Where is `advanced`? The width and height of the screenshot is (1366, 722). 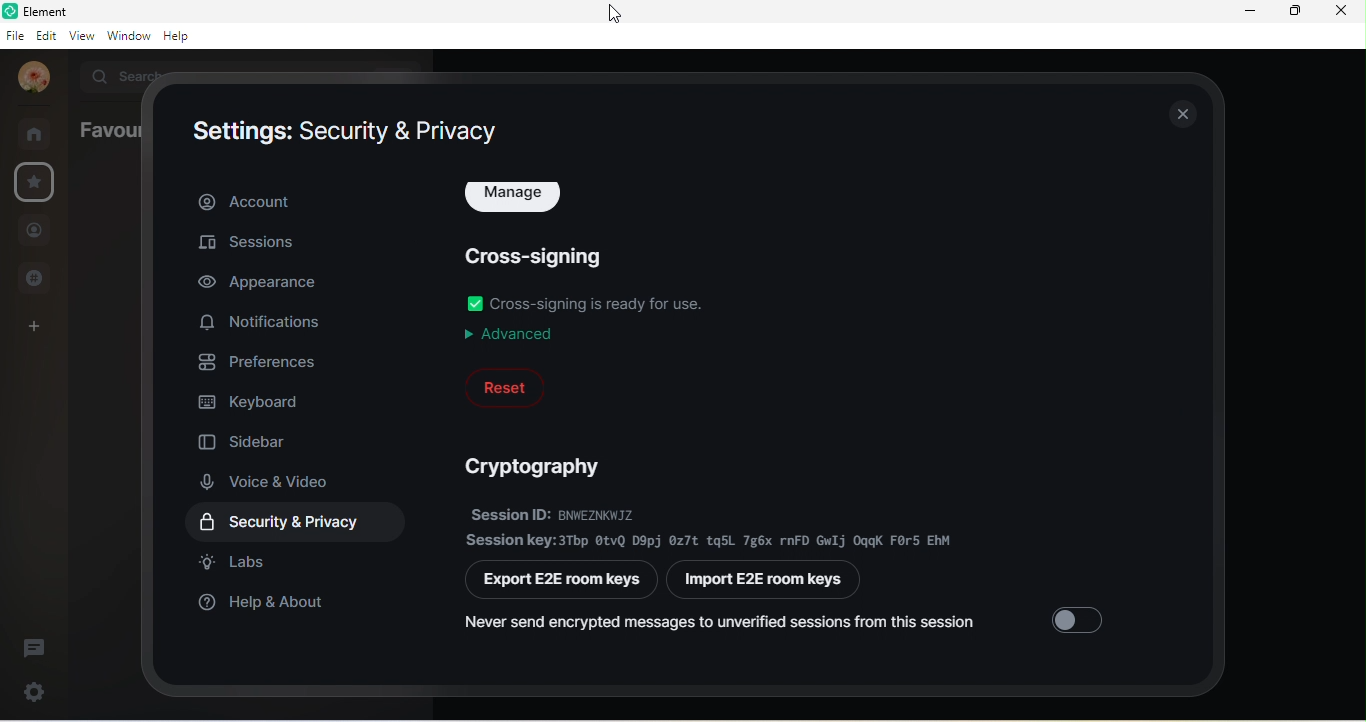 advanced is located at coordinates (508, 335).